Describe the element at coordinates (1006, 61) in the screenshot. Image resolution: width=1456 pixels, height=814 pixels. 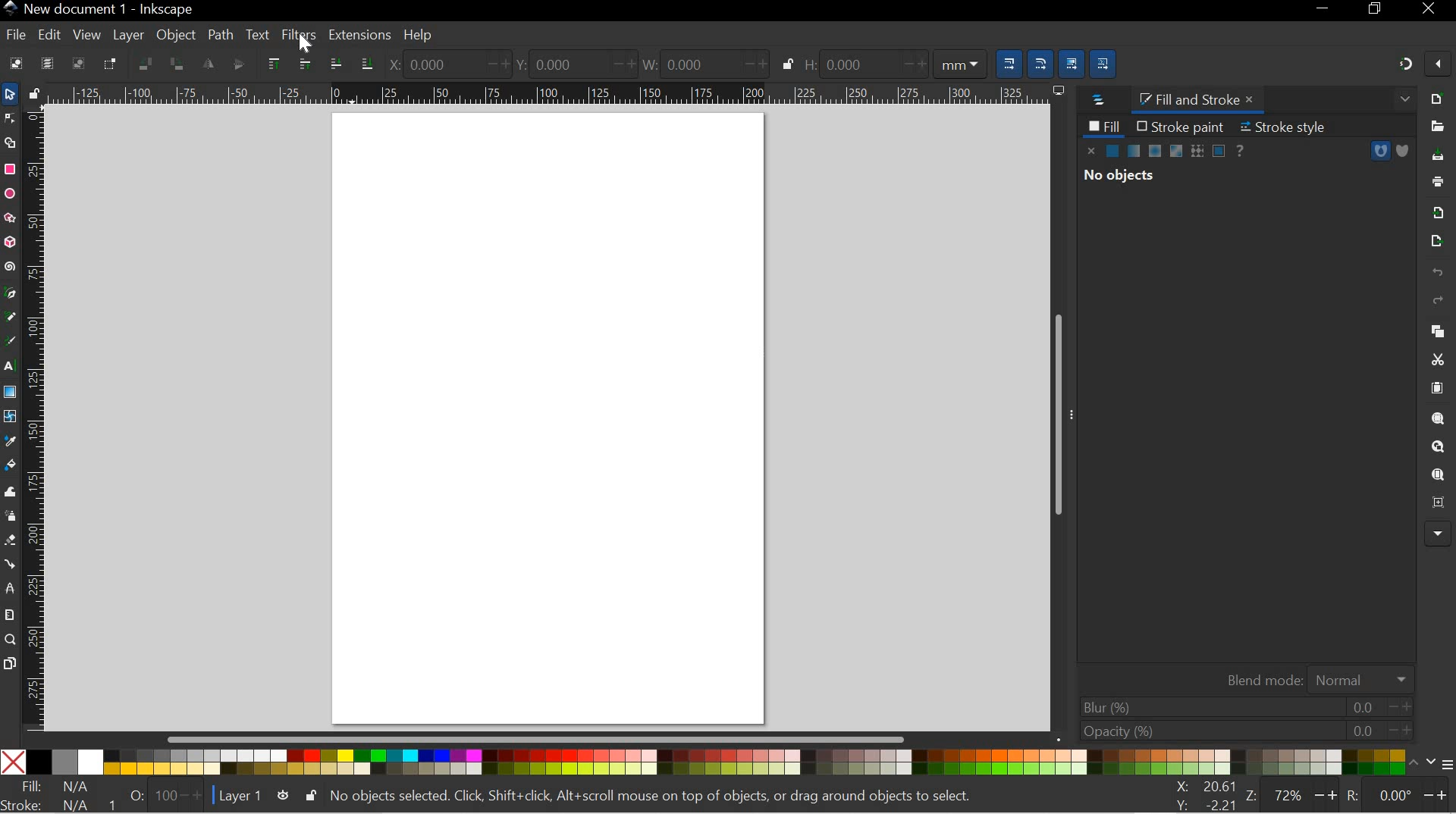
I see `SCALING OBJECTS` at that location.